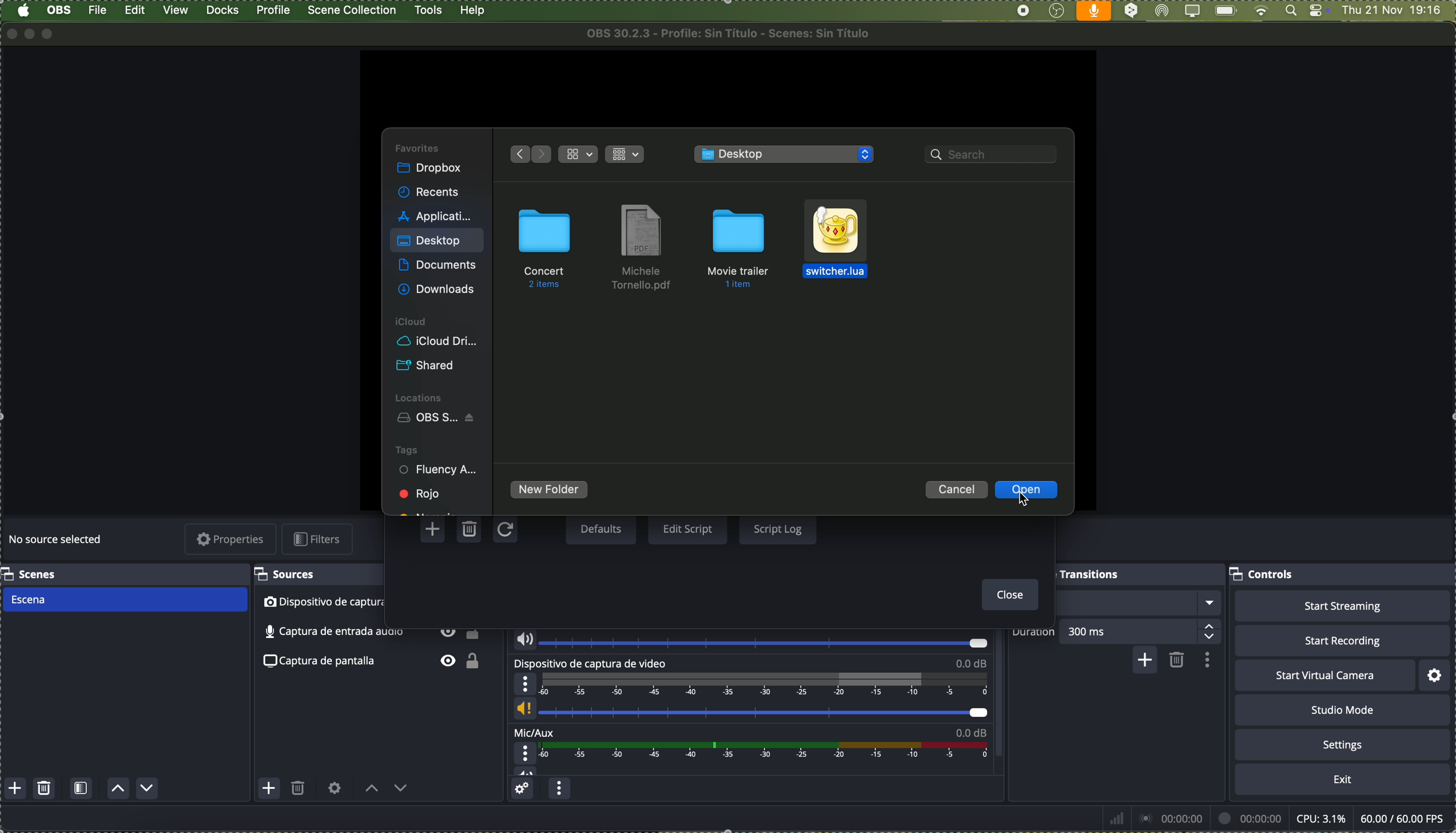 The width and height of the screenshot is (1456, 833). What do you see at coordinates (1143, 661) in the screenshot?
I see `add configurable transition` at bounding box center [1143, 661].